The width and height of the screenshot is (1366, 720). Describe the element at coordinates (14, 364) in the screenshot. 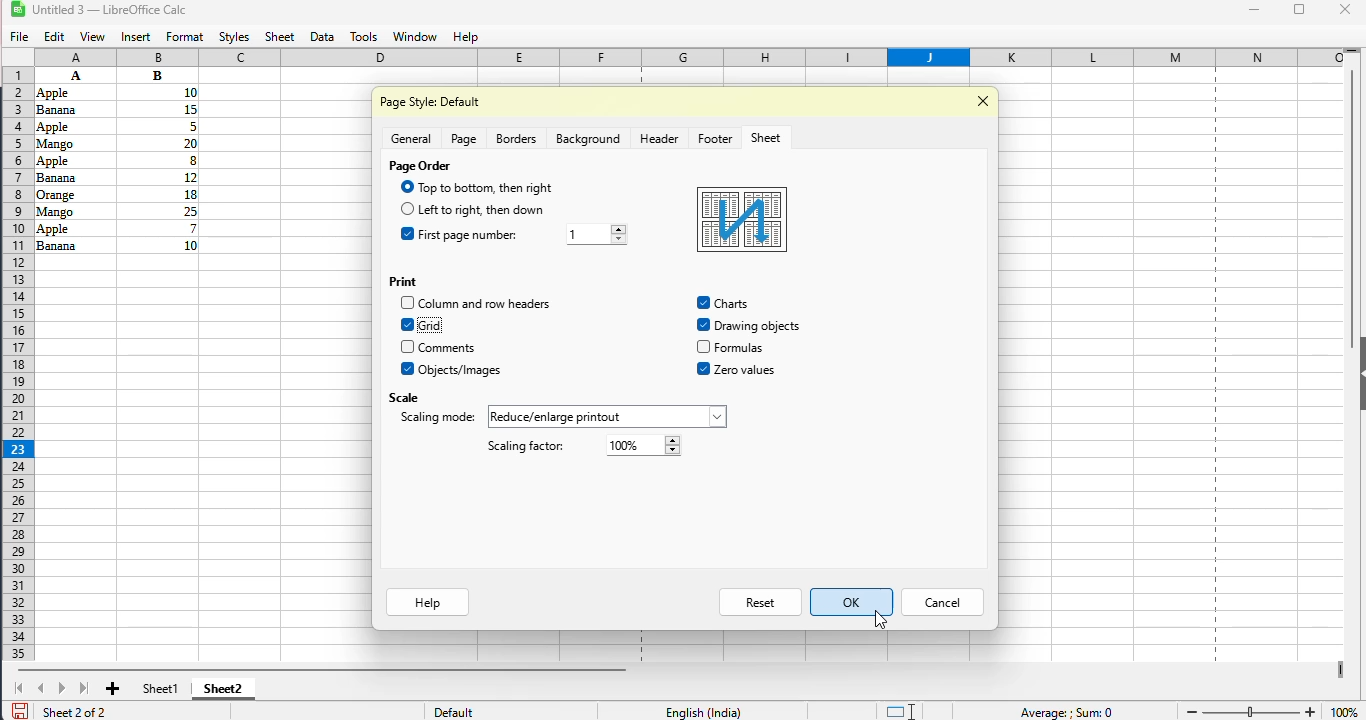

I see `rows` at that location.